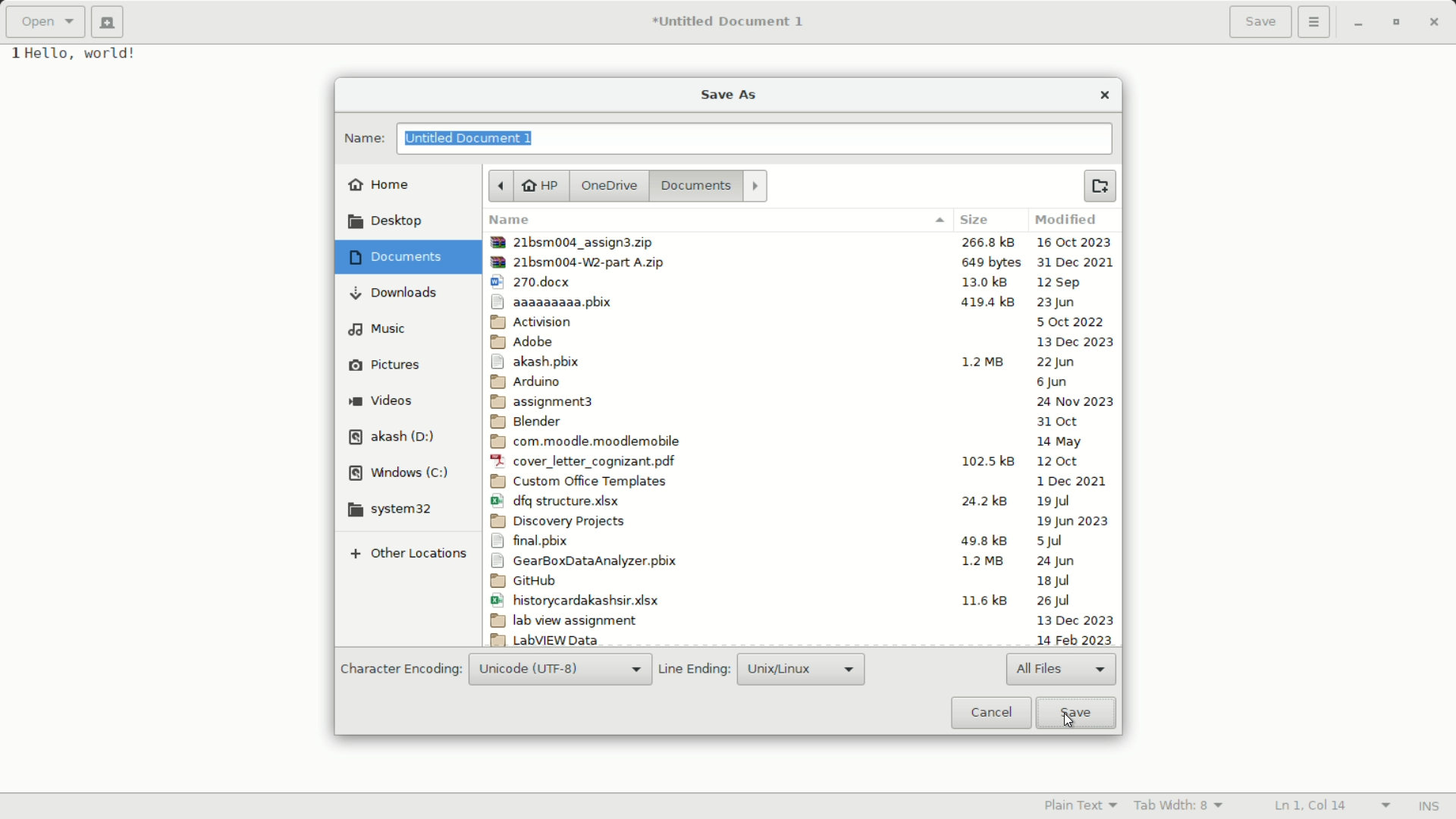 The width and height of the screenshot is (1456, 819). I want to click on File, so click(803, 281).